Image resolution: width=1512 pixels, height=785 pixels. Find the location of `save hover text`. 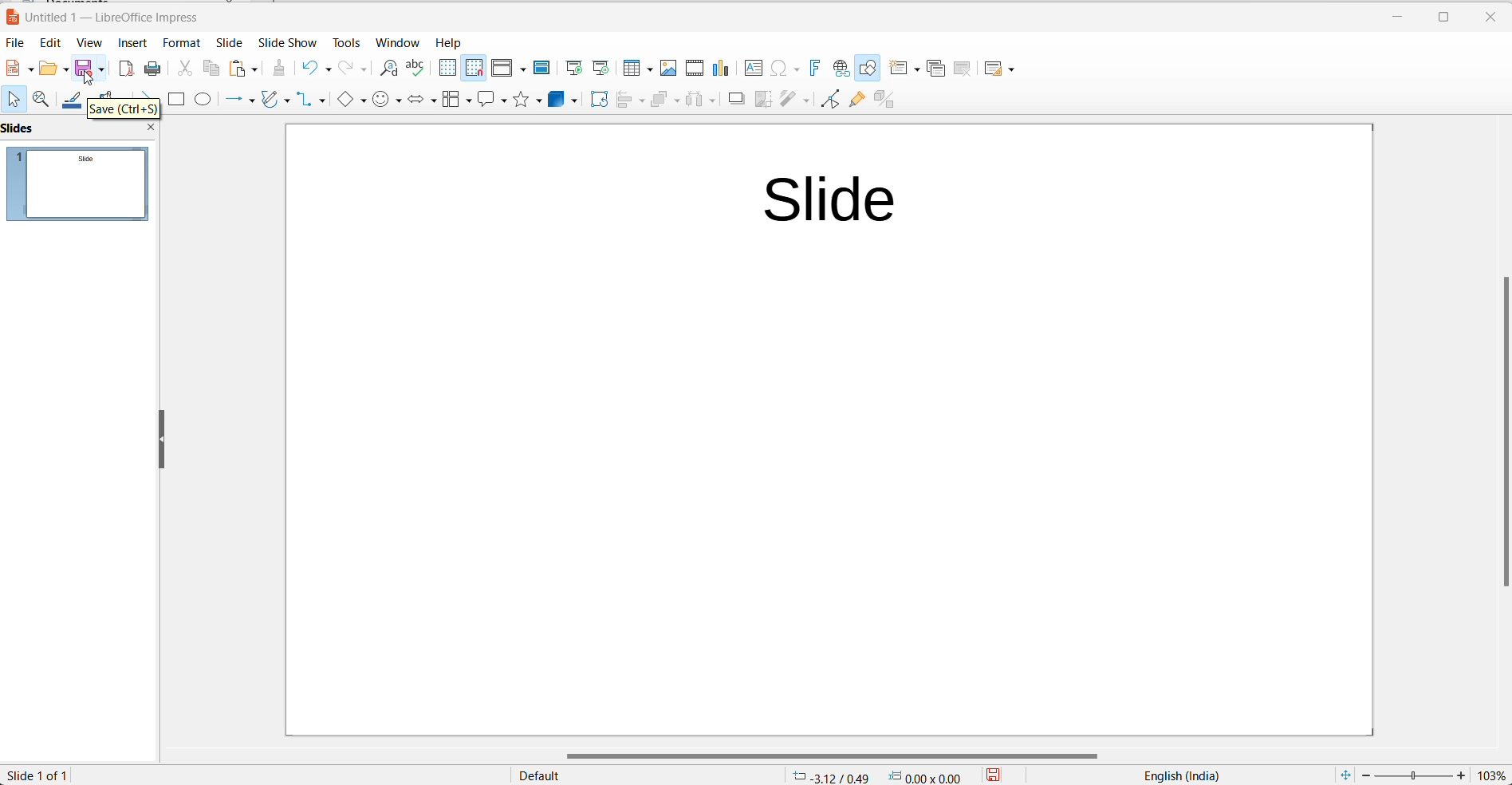

save hover text is located at coordinates (124, 108).